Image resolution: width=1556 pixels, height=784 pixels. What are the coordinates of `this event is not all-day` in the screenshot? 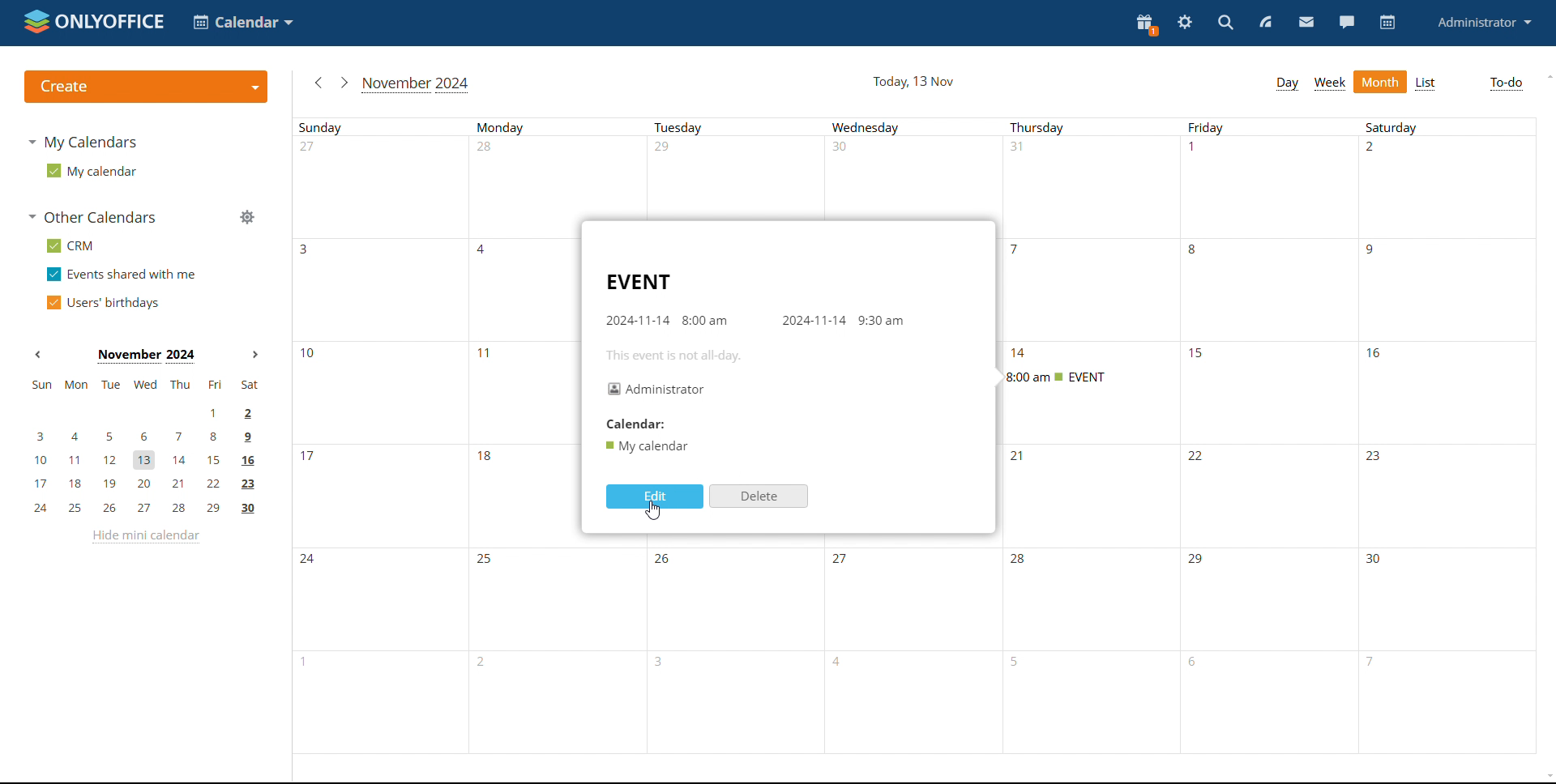 It's located at (676, 356).